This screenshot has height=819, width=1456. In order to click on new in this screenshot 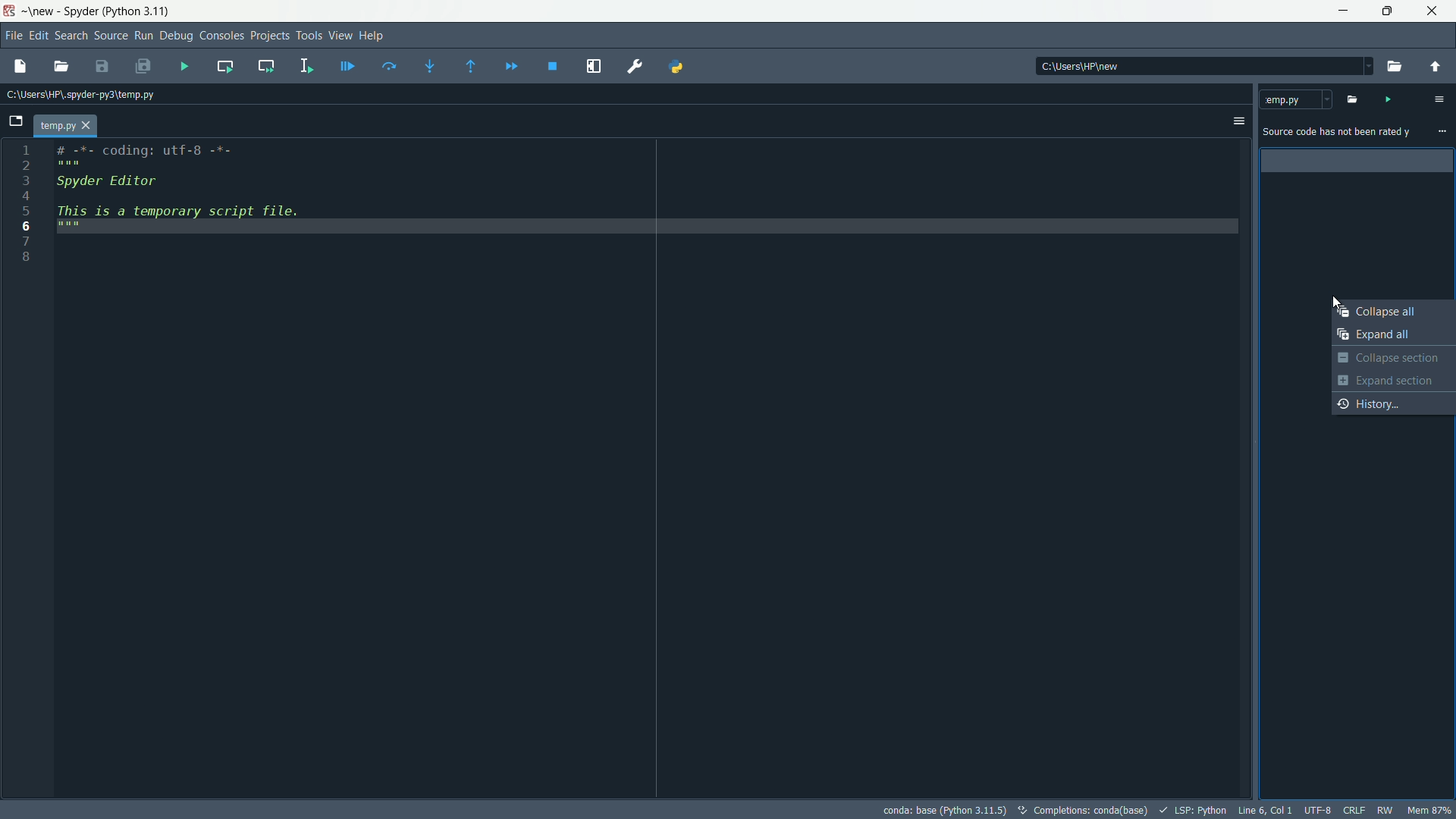, I will do `click(42, 11)`.